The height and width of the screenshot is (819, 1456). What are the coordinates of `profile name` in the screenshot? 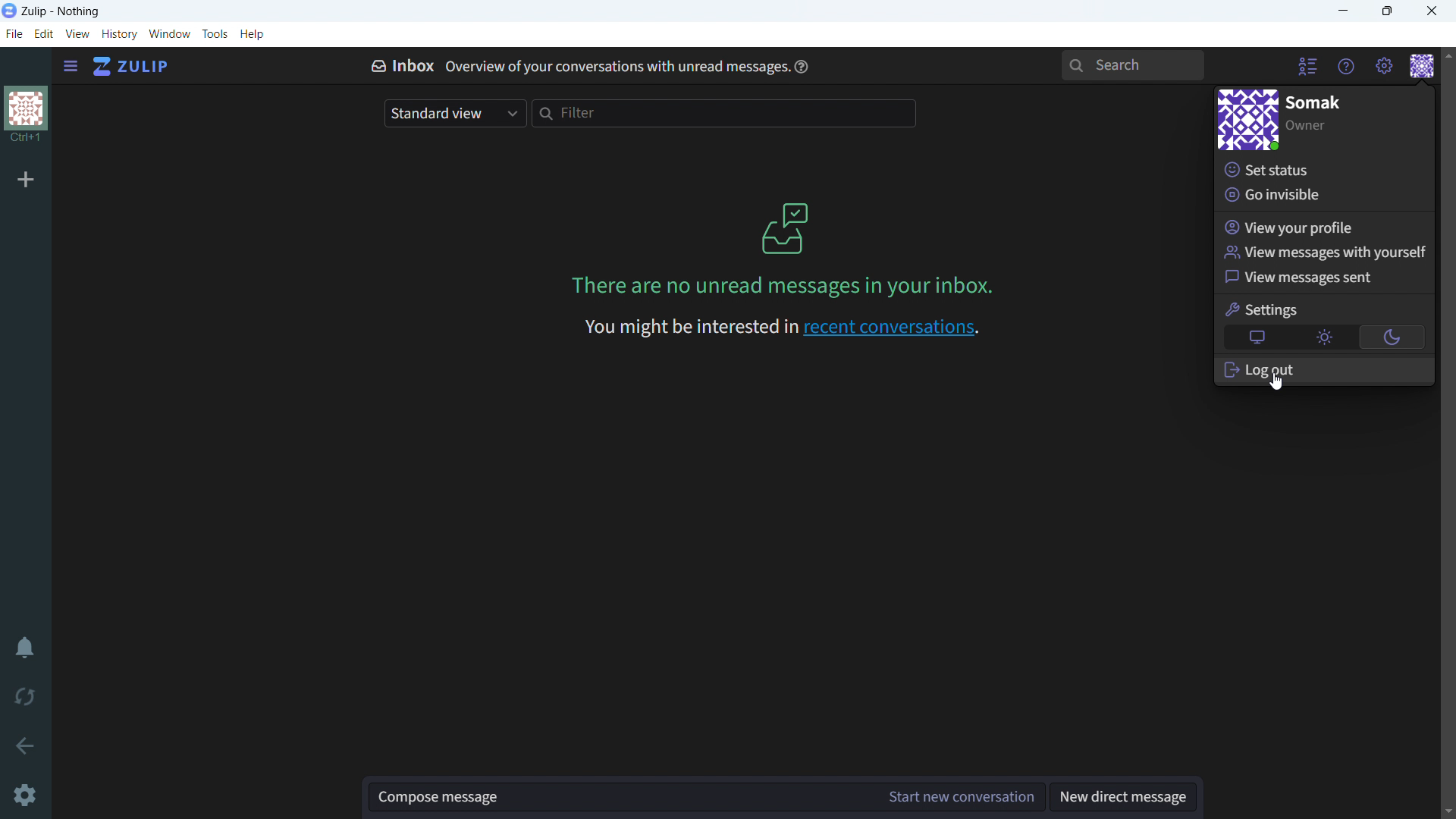 It's located at (1315, 102).